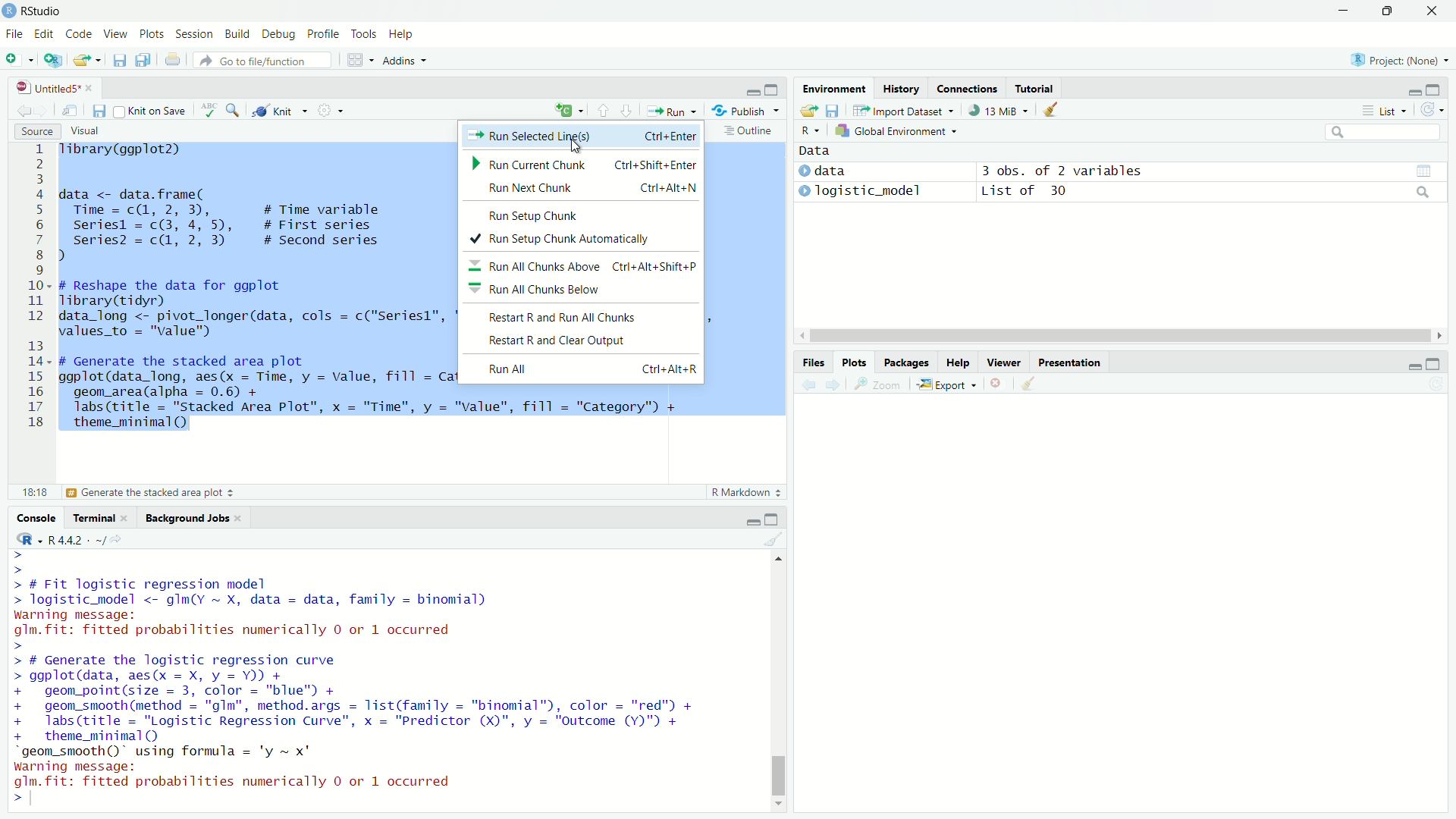  Describe the element at coordinates (174, 65) in the screenshot. I see `print` at that location.